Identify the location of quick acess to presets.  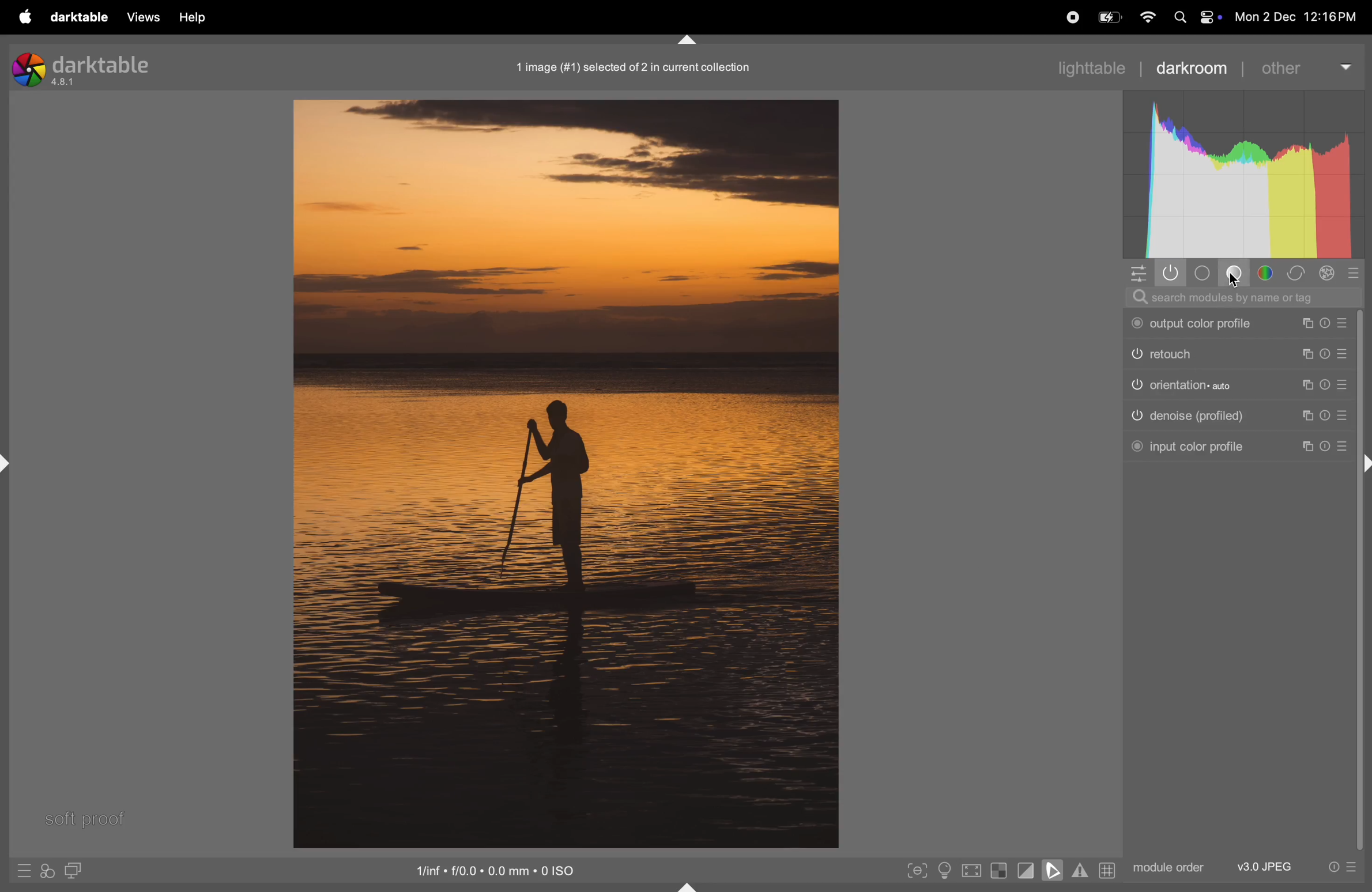
(1337, 866).